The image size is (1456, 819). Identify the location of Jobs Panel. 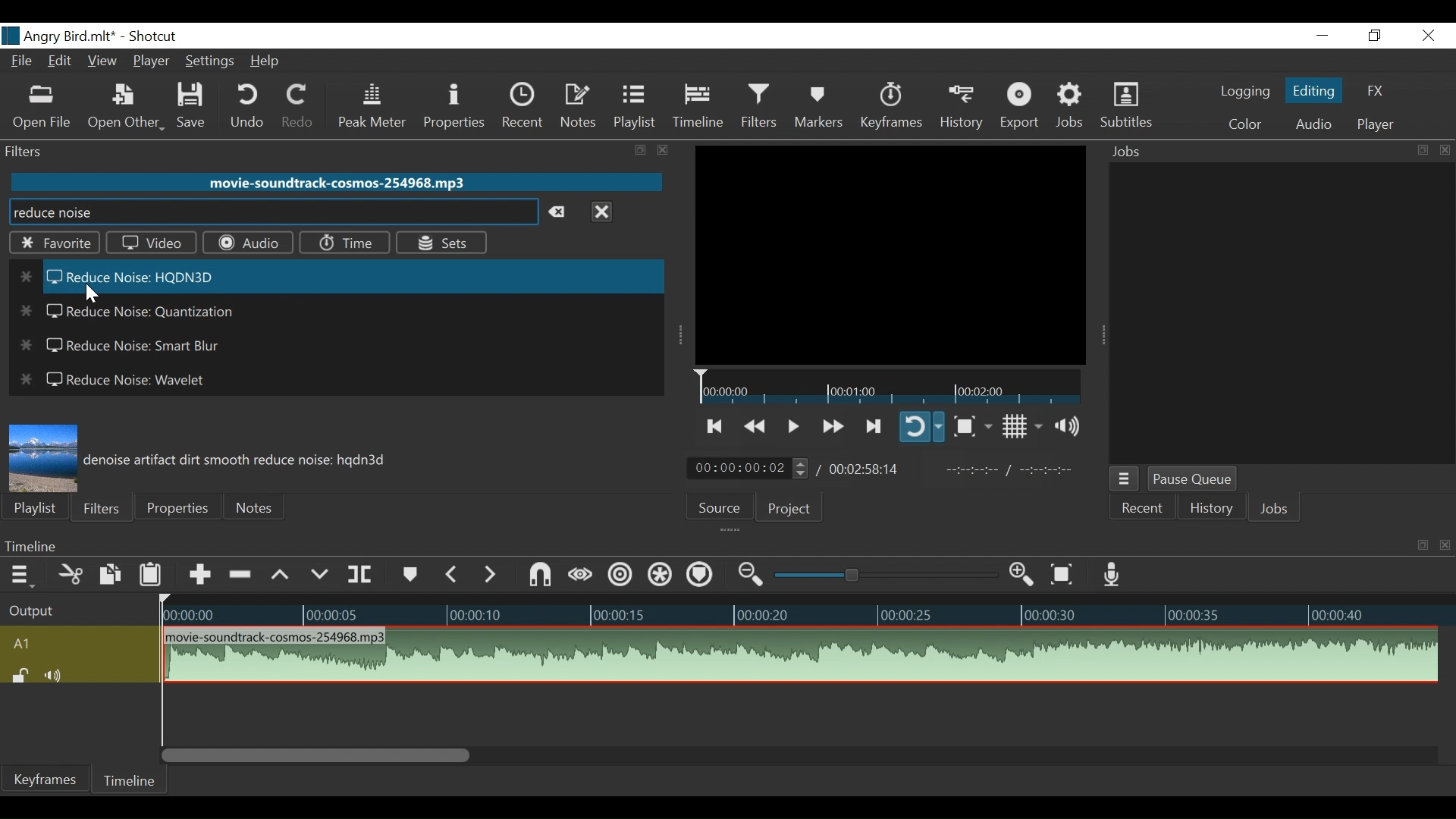
(1278, 312).